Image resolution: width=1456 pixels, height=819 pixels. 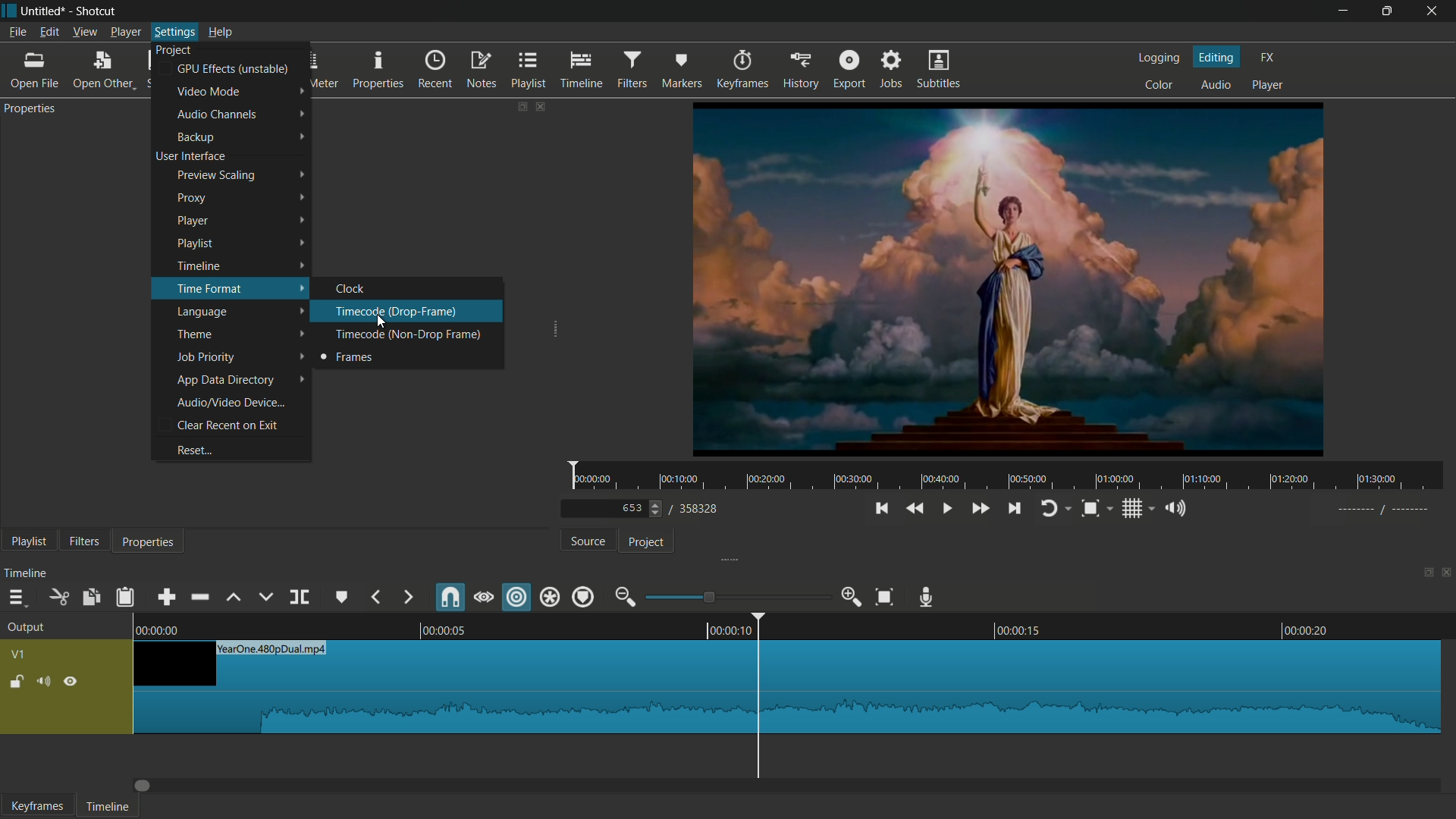 What do you see at coordinates (39, 807) in the screenshot?
I see `keyframes` at bounding box center [39, 807].